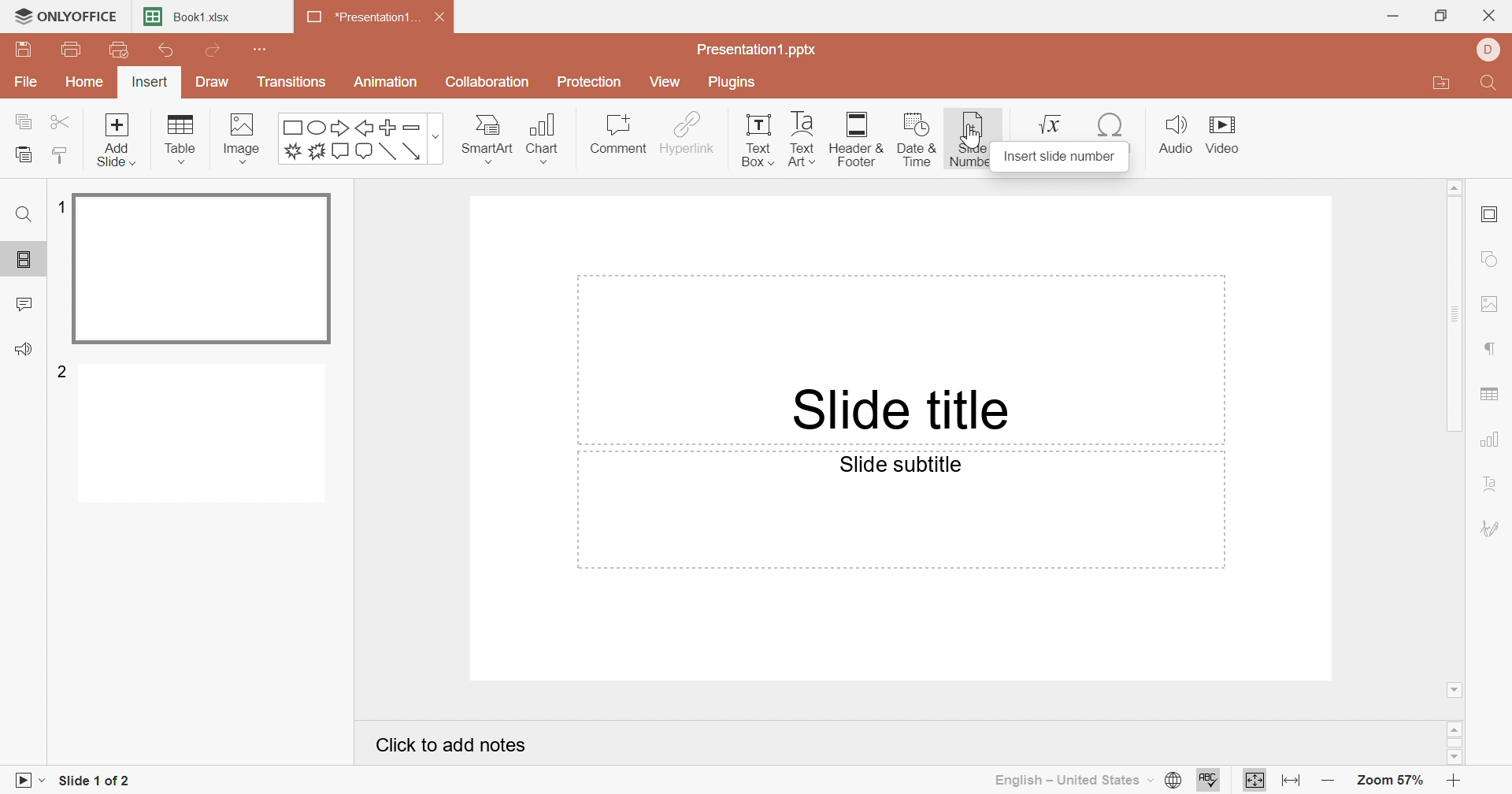 This screenshot has width=1512, height=794. What do you see at coordinates (150, 84) in the screenshot?
I see `Insert` at bounding box center [150, 84].